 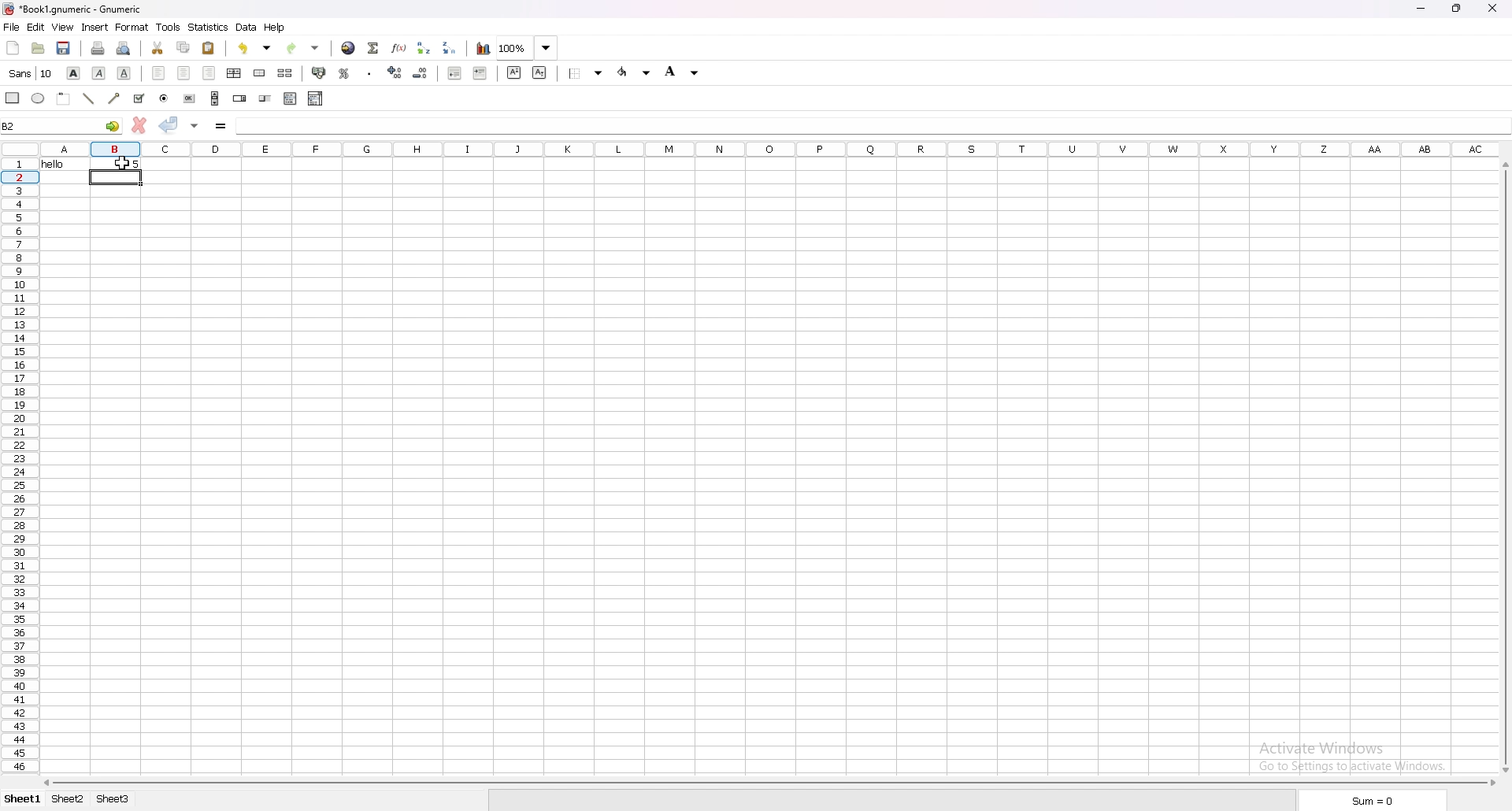 What do you see at coordinates (94, 28) in the screenshot?
I see `insert` at bounding box center [94, 28].